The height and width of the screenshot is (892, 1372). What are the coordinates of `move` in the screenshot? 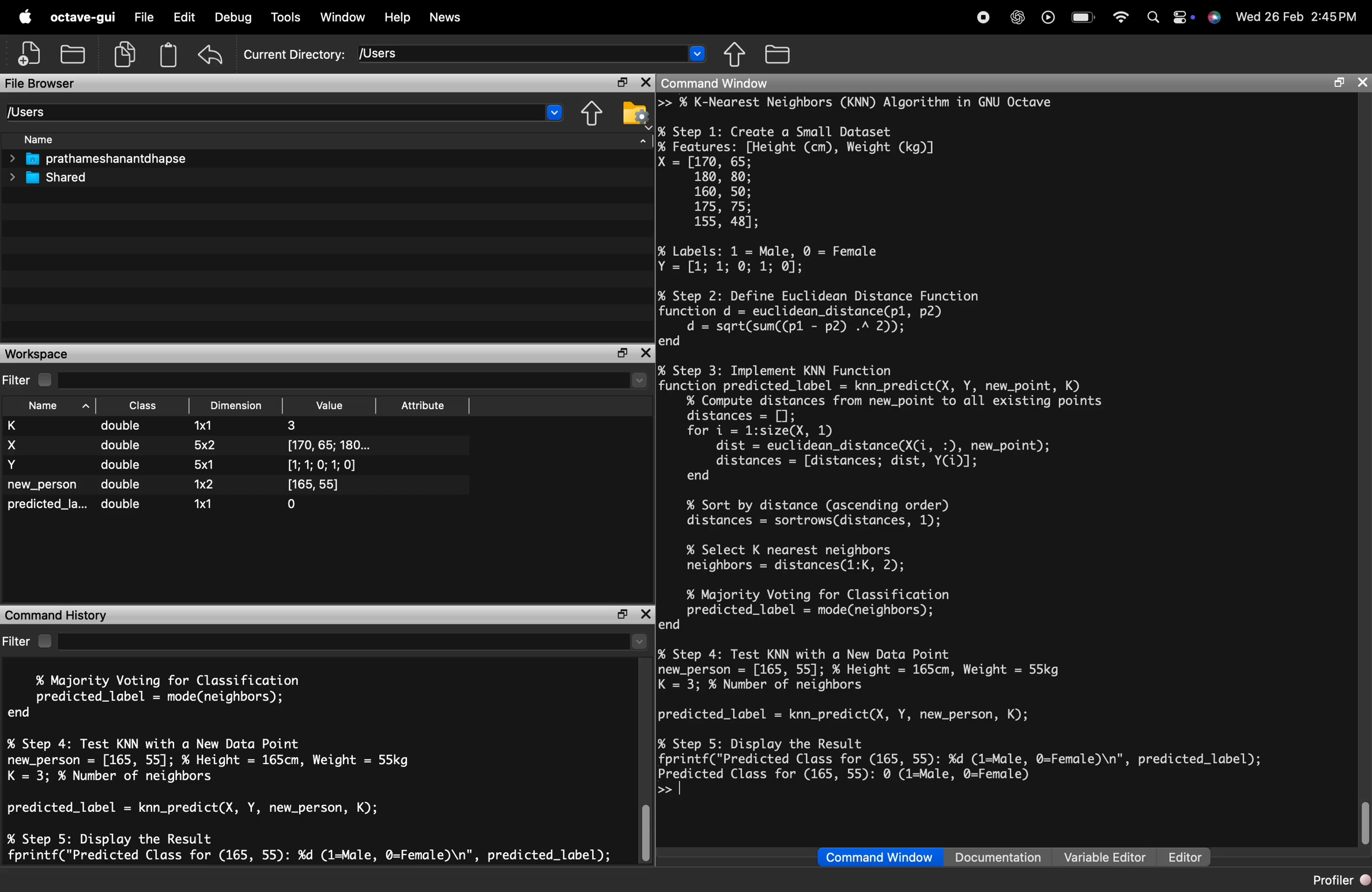 It's located at (735, 54).